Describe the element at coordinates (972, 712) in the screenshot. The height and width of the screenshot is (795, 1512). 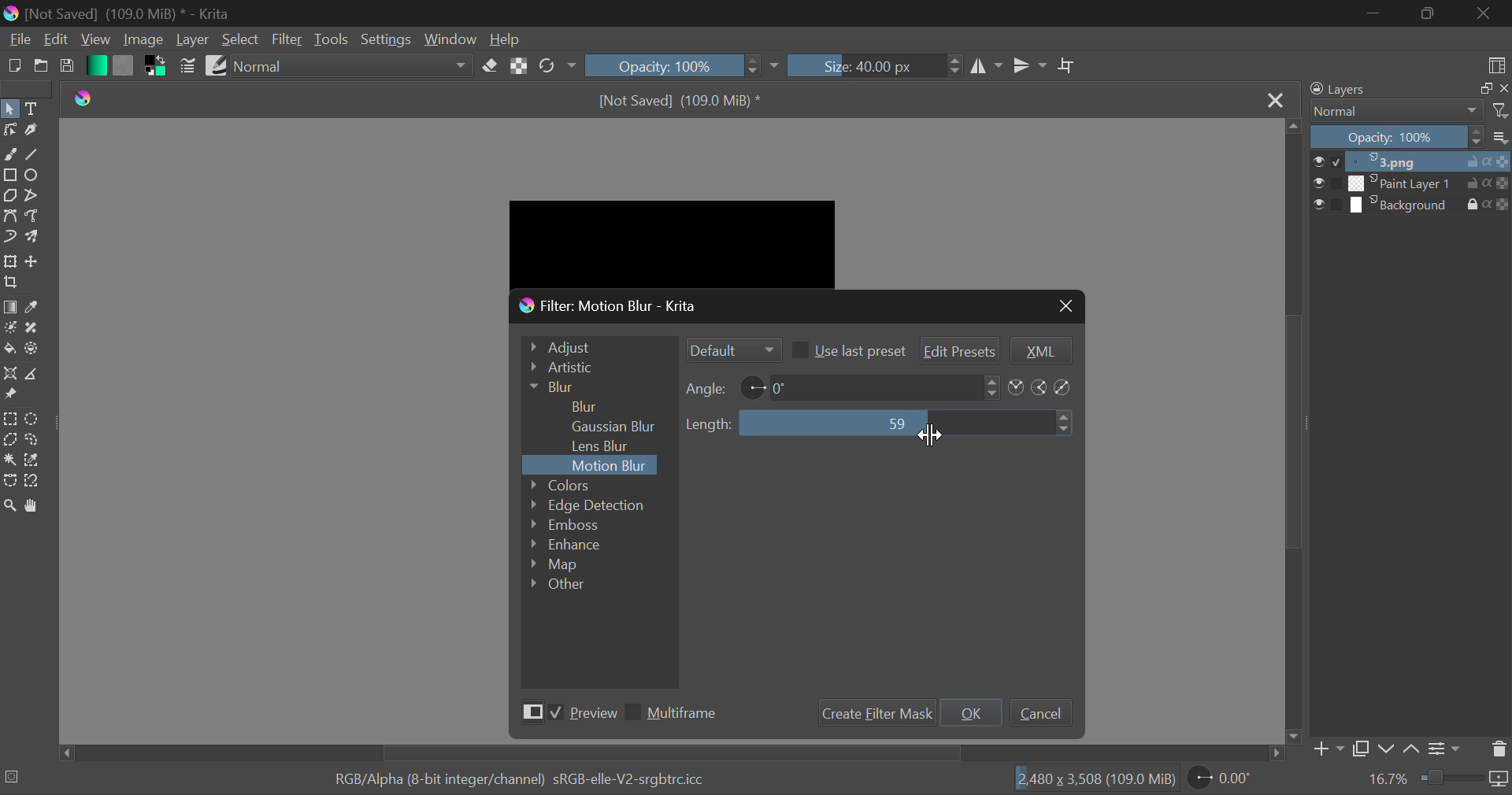
I see `OK` at that location.